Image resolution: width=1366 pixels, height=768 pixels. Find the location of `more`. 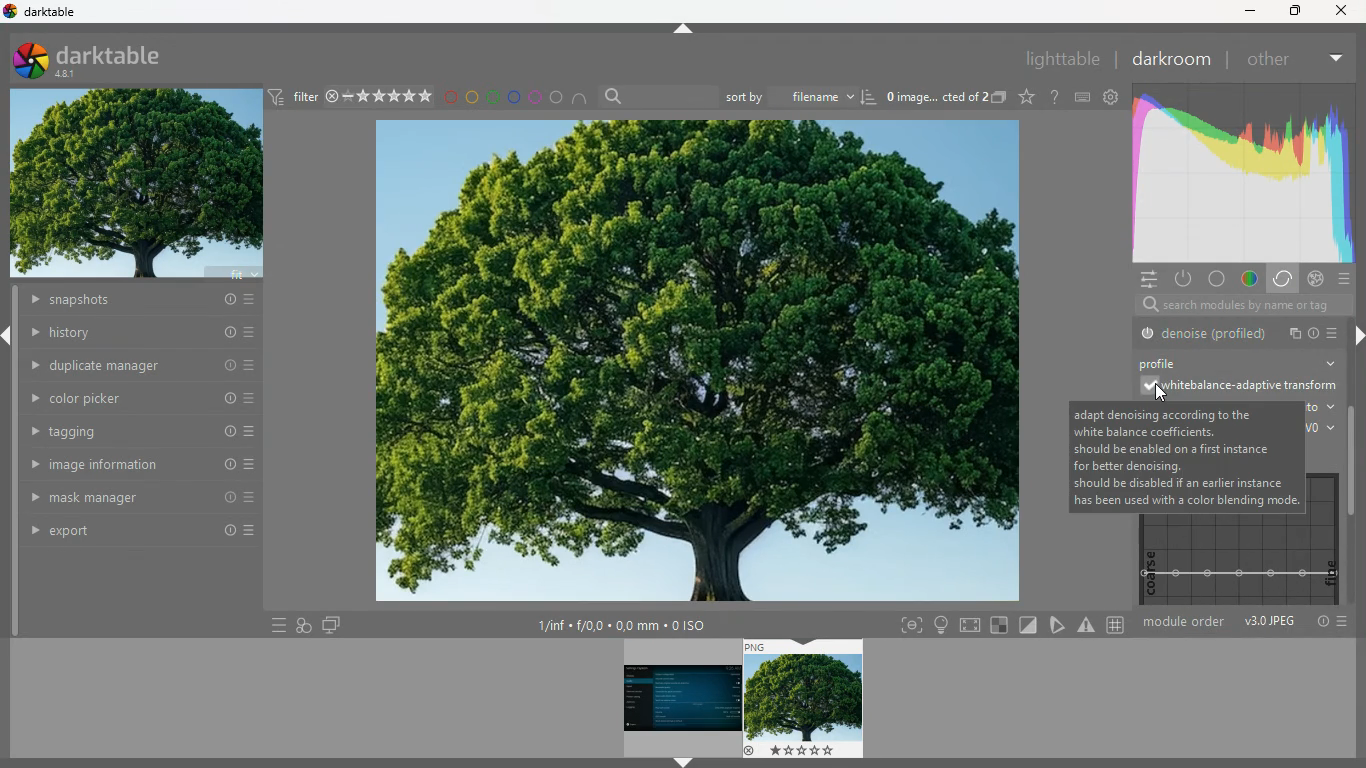

more is located at coordinates (1345, 280).